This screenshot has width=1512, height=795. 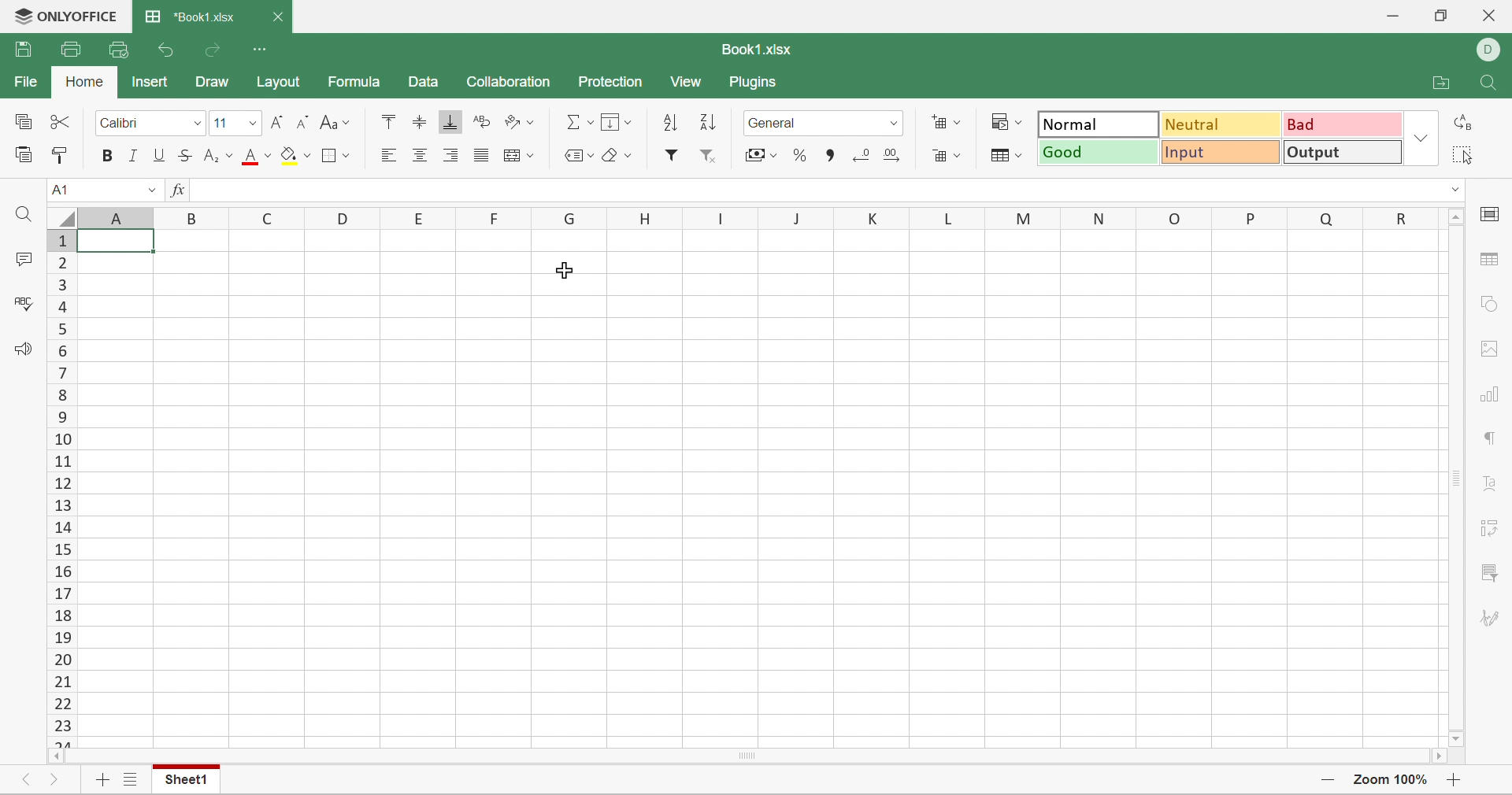 I want to click on Image settings, so click(x=1489, y=348).